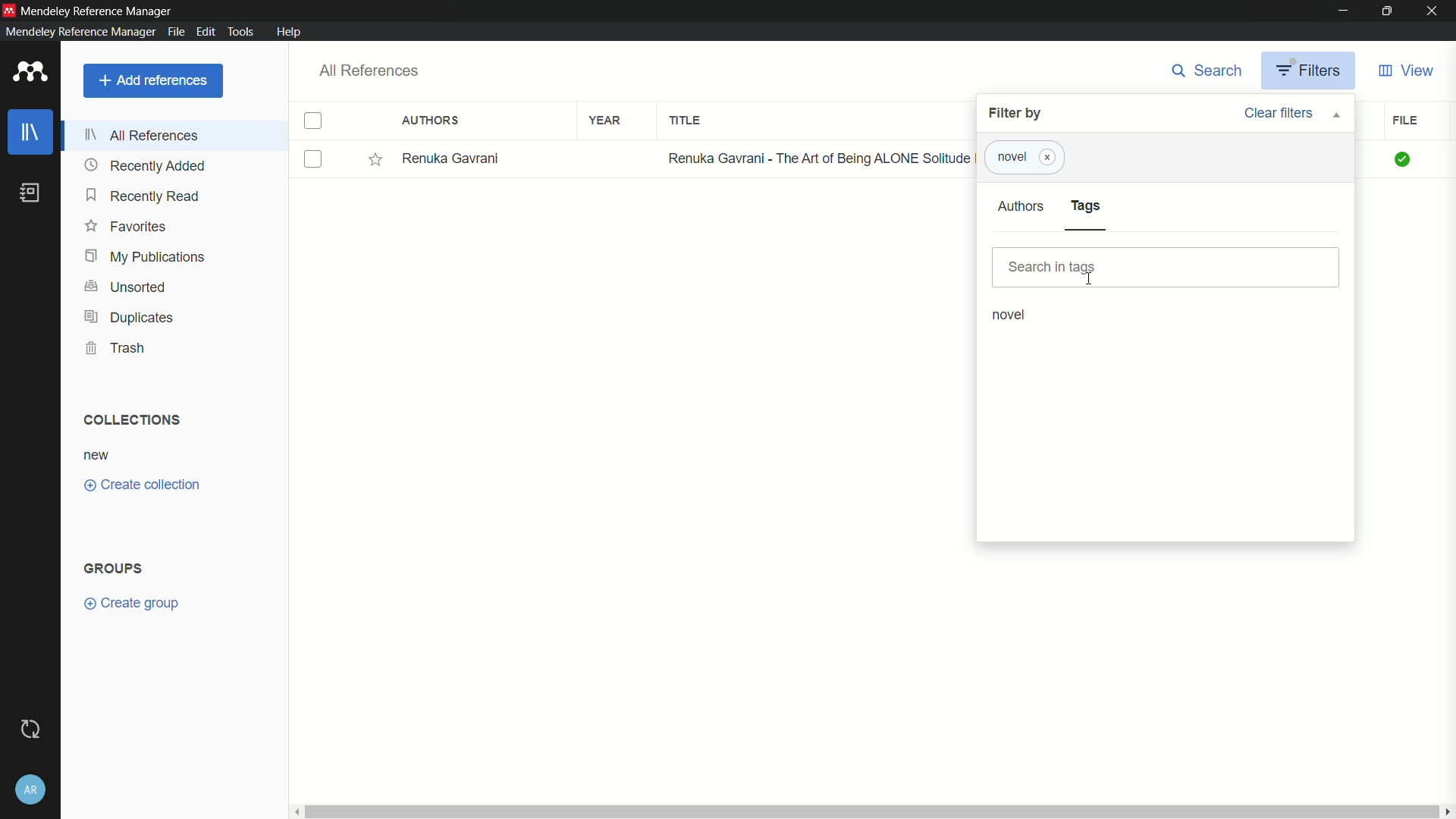  What do you see at coordinates (33, 132) in the screenshot?
I see `library` at bounding box center [33, 132].